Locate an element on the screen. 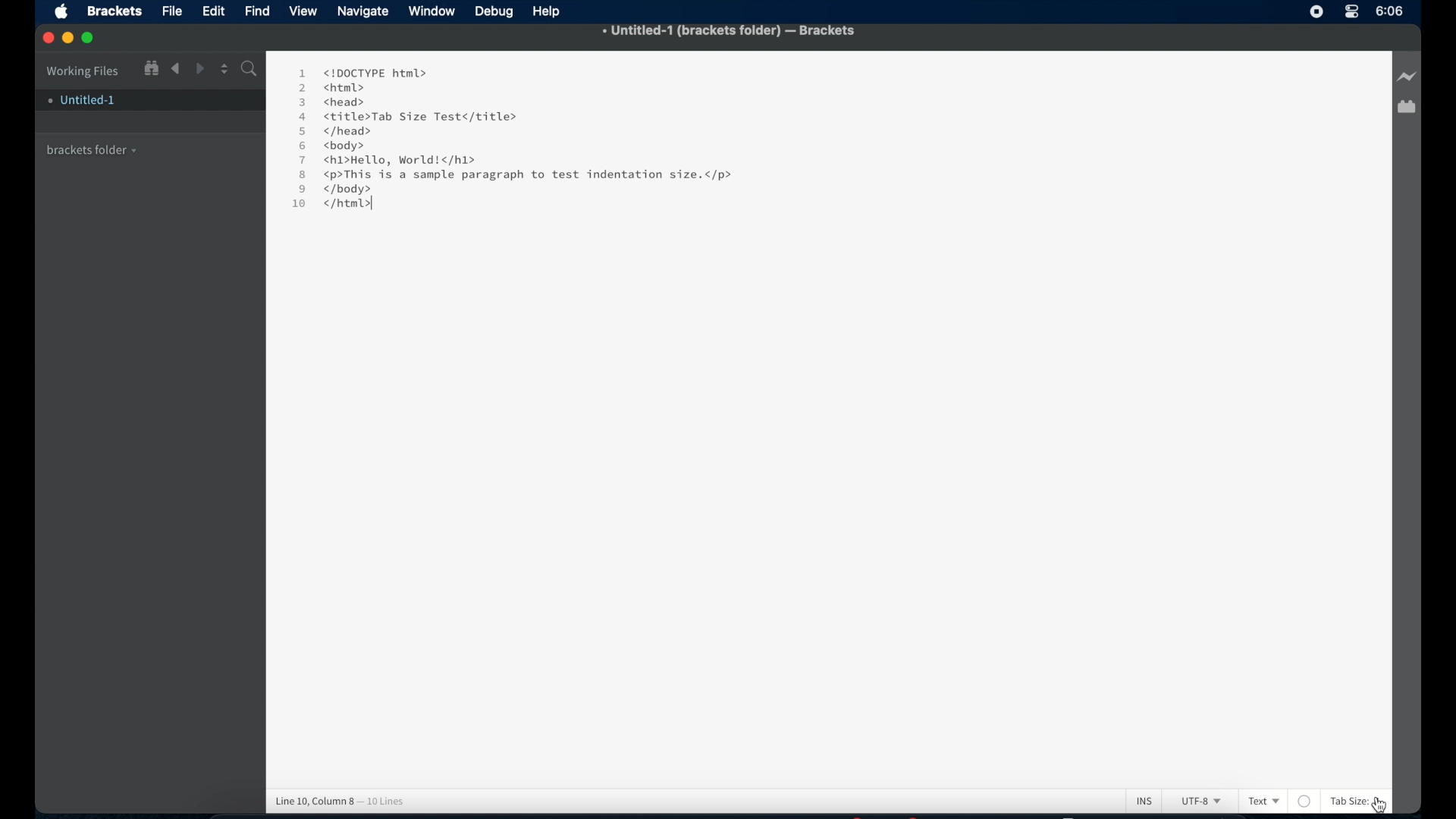  . Untitled-1 (brackets folder) - Brackets is located at coordinates (730, 32).